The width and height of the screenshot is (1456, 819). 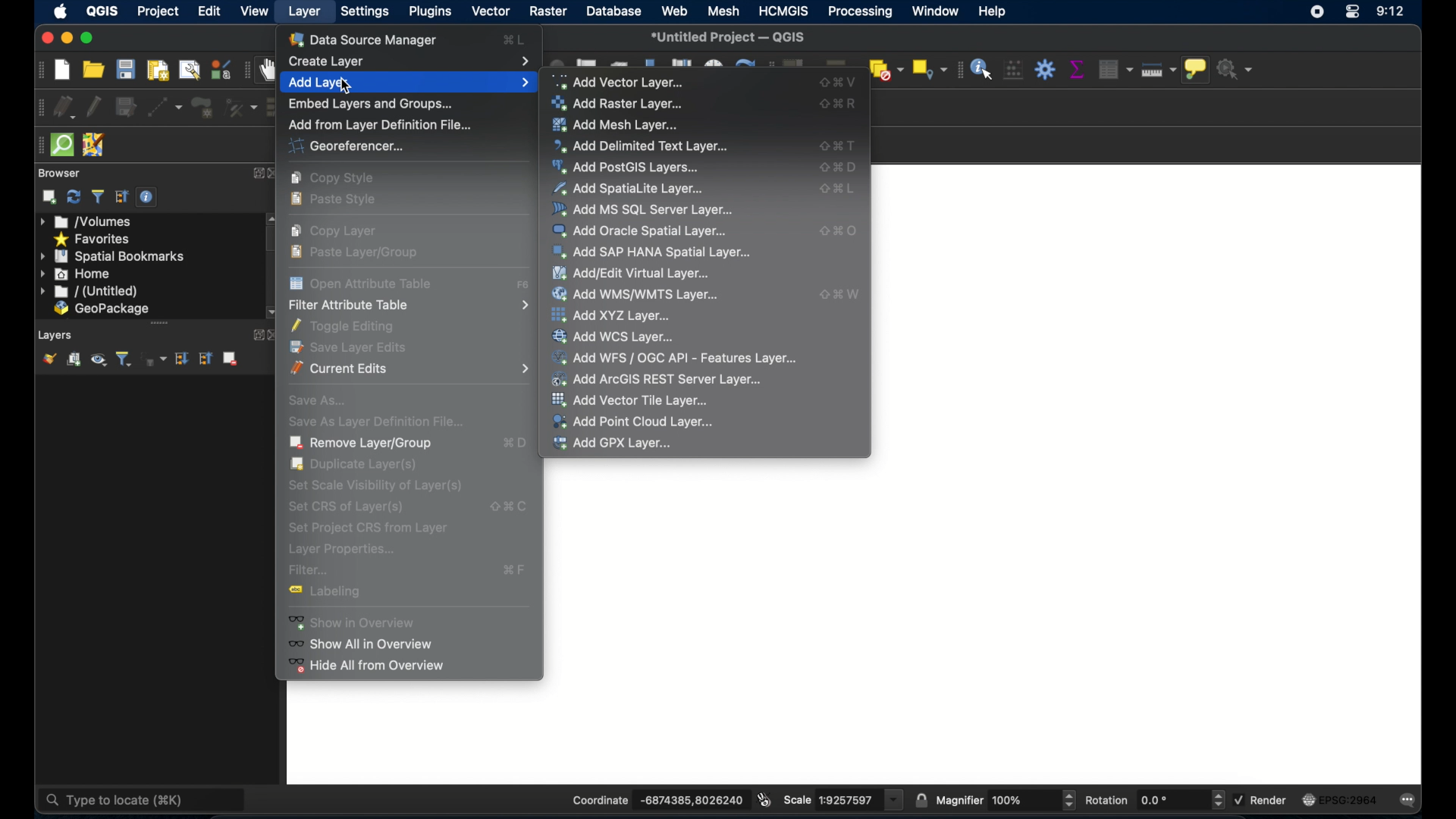 What do you see at coordinates (886, 67) in the screenshot?
I see `deselect features` at bounding box center [886, 67].